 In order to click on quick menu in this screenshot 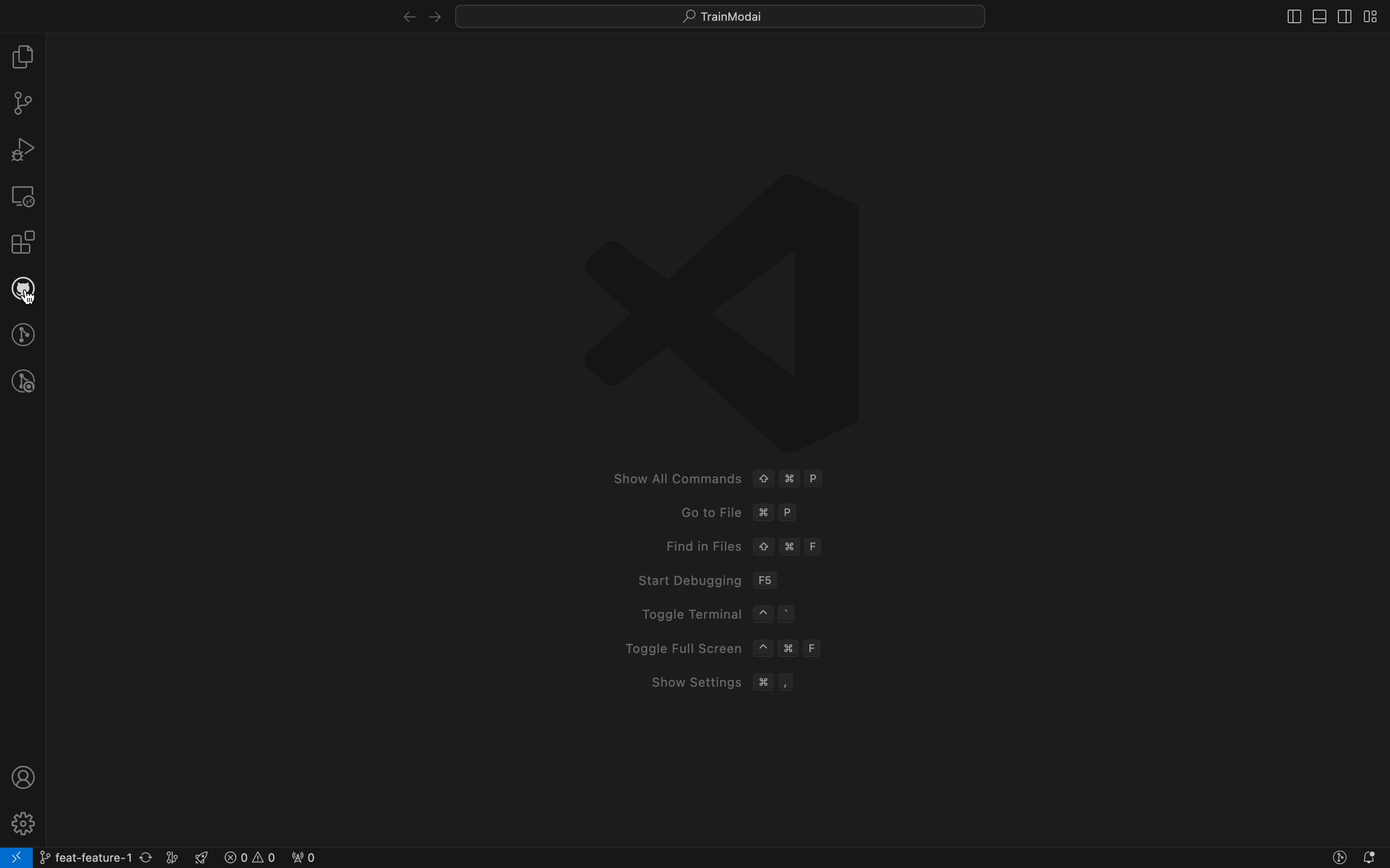, I will do `click(721, 14)`.